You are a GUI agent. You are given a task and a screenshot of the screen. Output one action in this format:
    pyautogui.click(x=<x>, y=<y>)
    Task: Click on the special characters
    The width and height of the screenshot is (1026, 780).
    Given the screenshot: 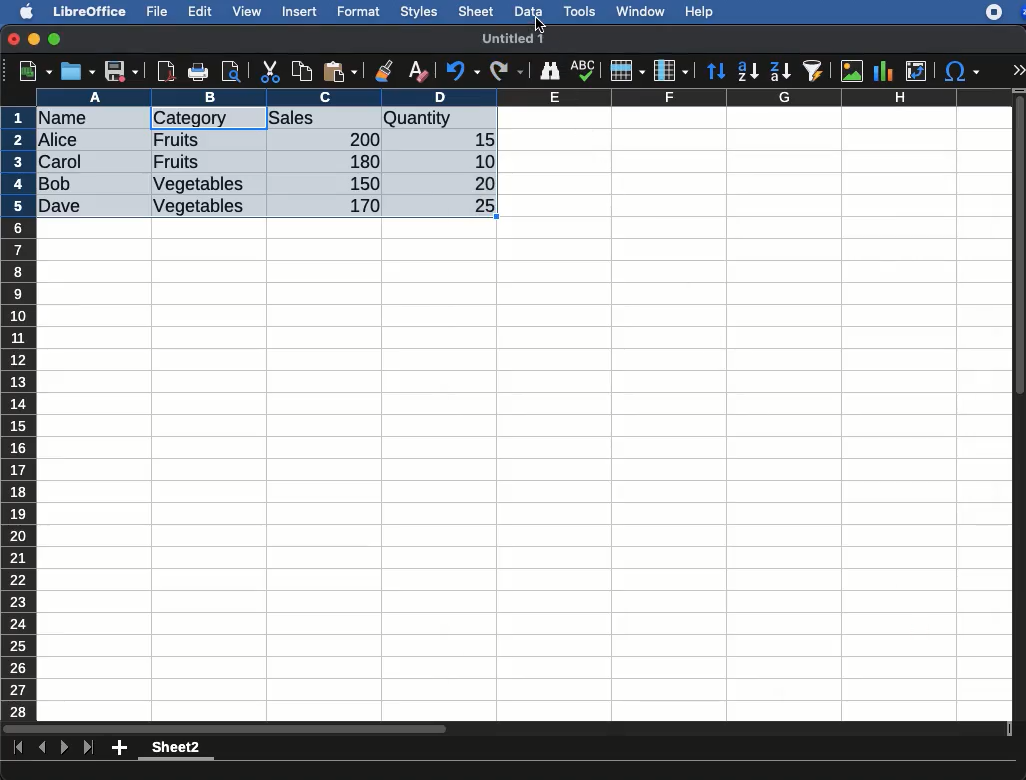 What is the action you would take?
    pyautogui.click(x=960, y=71)
    